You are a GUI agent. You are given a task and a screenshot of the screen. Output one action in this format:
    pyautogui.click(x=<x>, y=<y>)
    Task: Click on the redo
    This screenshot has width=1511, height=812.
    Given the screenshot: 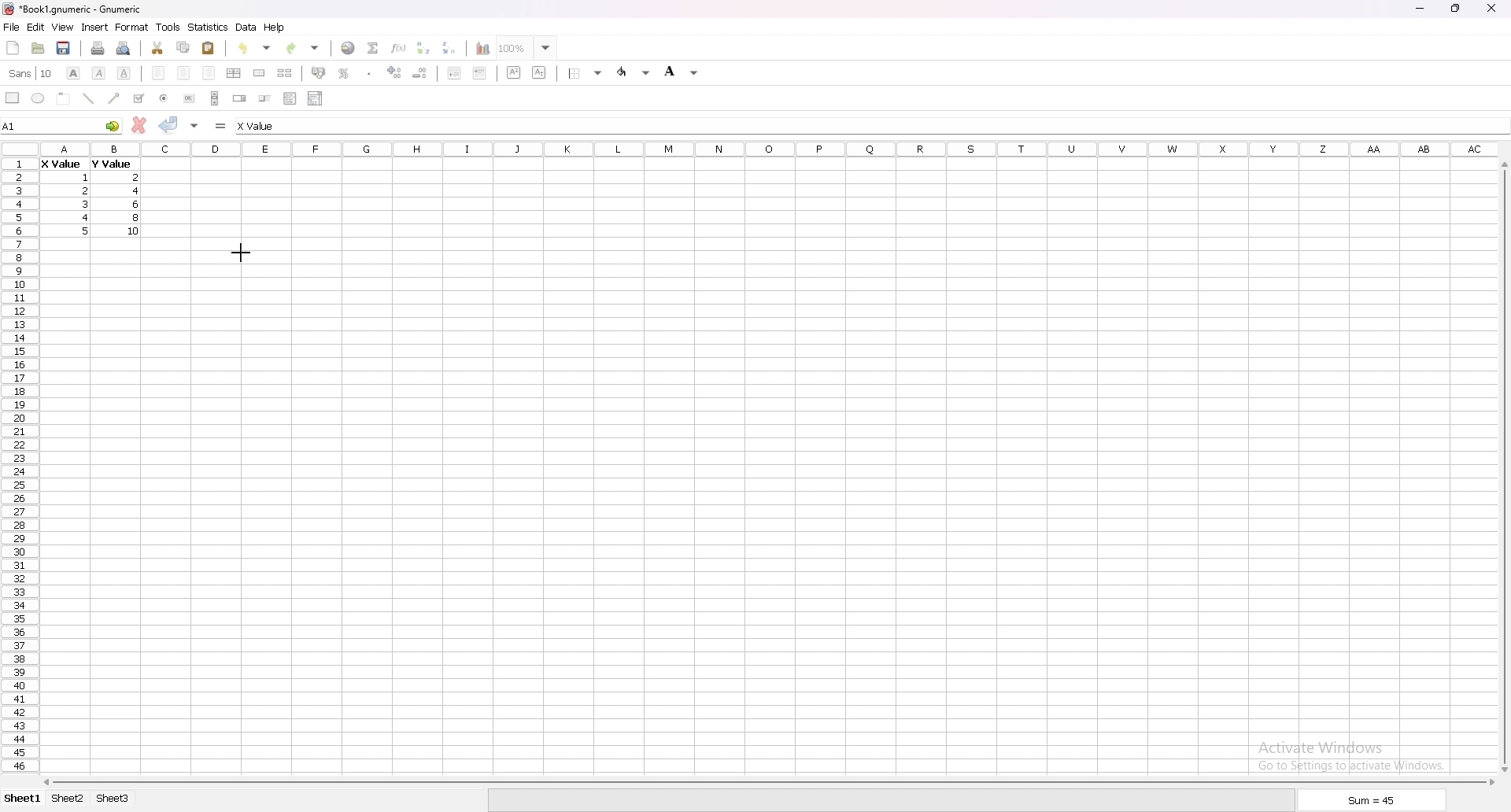 What is the action you would take?
    pyautogui.click(x=305, y=48)
    